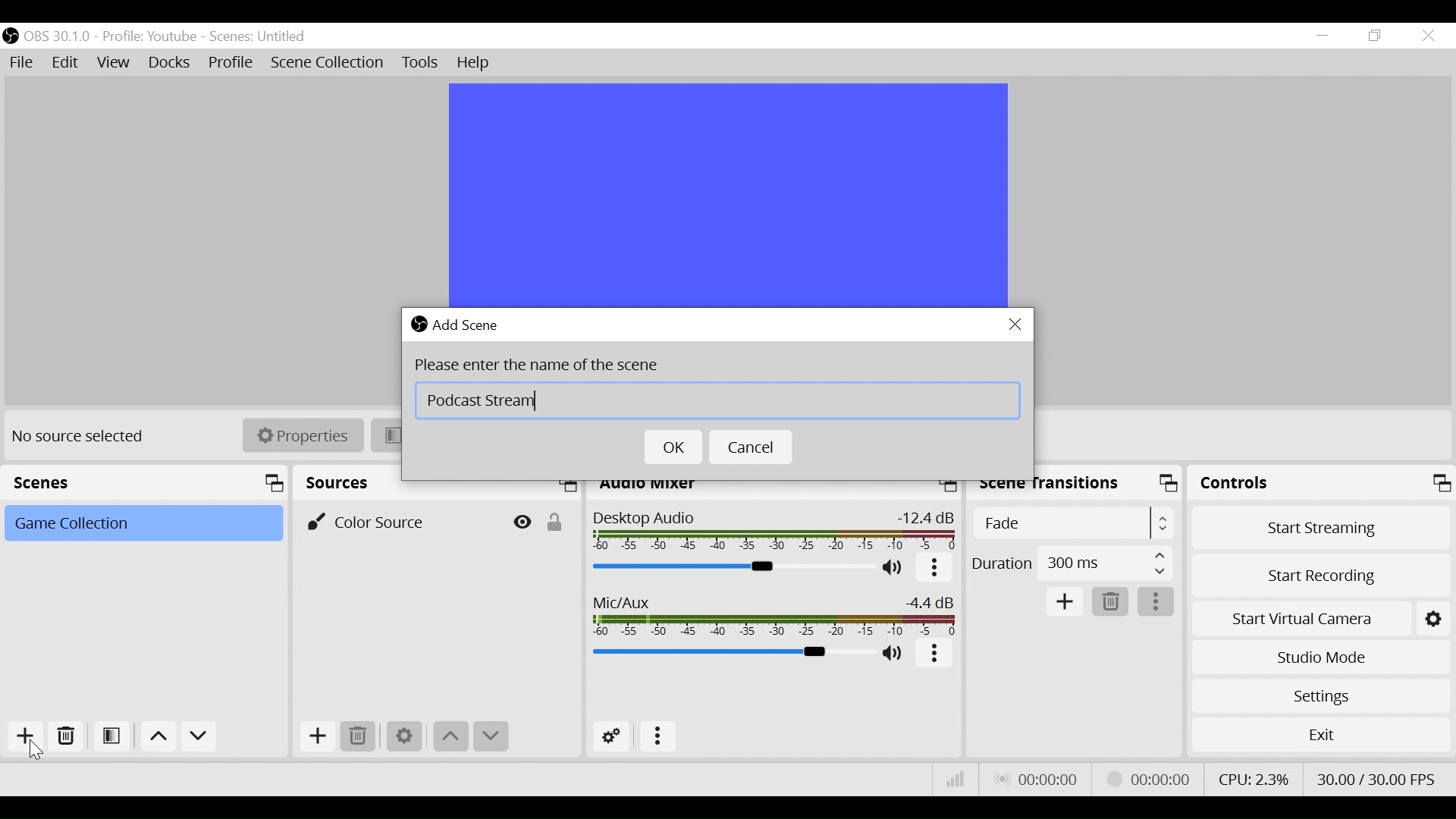 This screenshot has width=1456, height=819. I want to click on Color Source, so click(402, 521).